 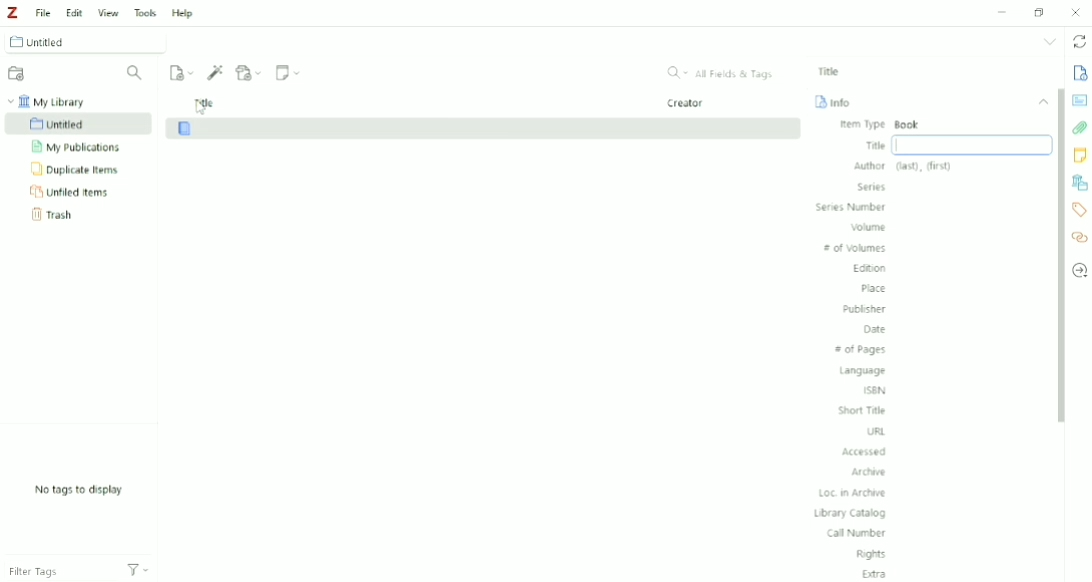 What do you see at coordinates (1080, 73) in the screenshot?
I see `Info` at bounding box center [1080, 73].